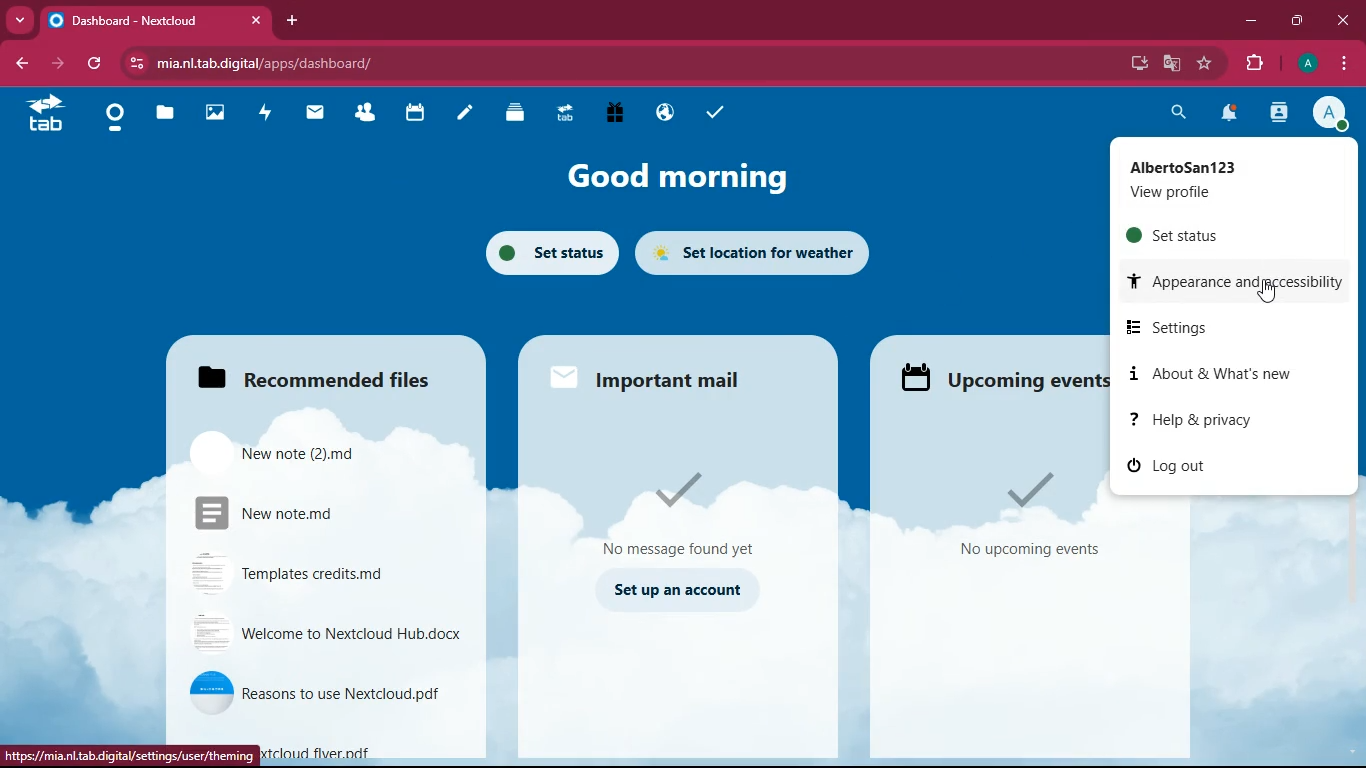 Image resolution: width=1366 pixels, height=768 pixels. I want to click on file, so click(324, 694).